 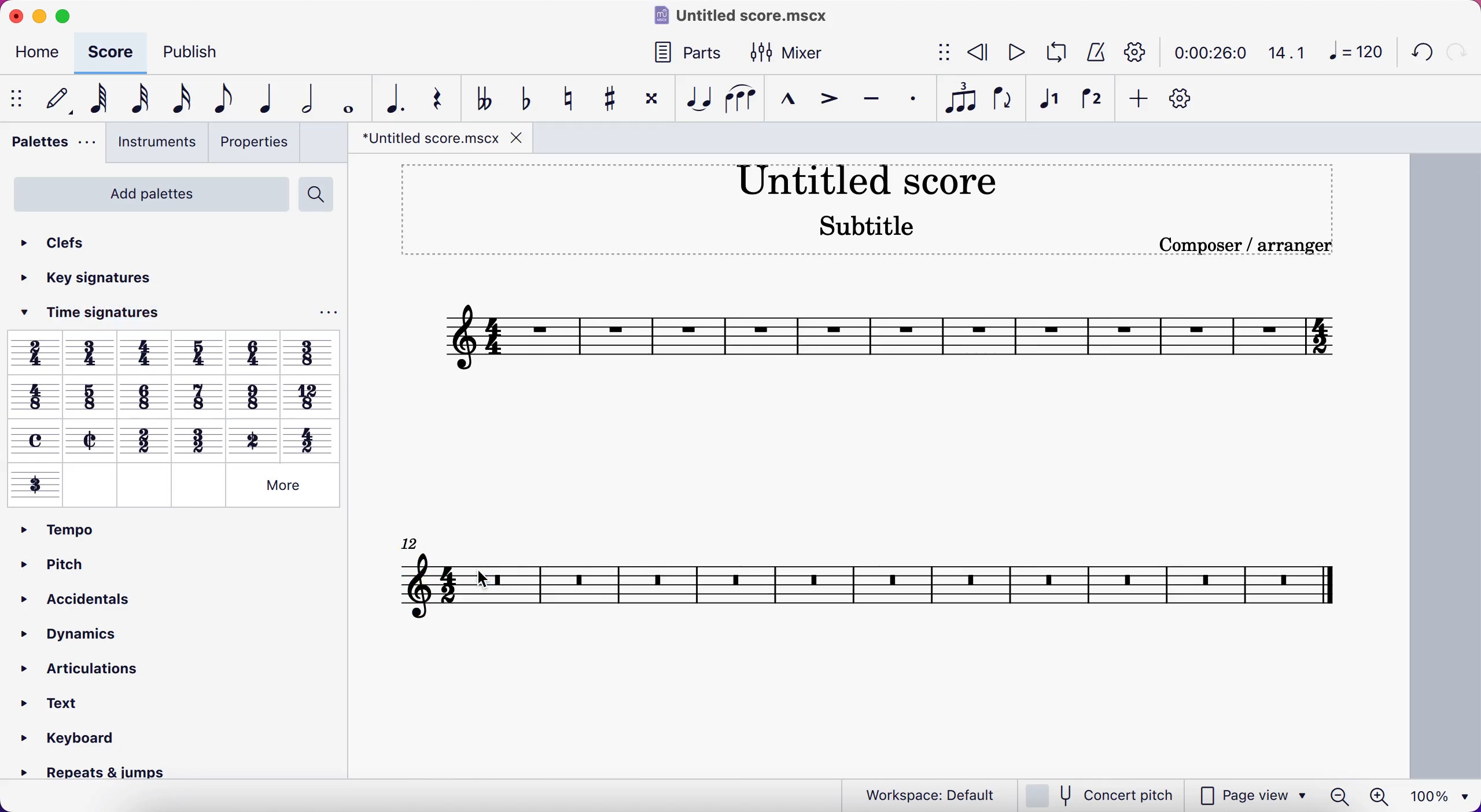 I want to click on page view, so click(x=1213, y=795).